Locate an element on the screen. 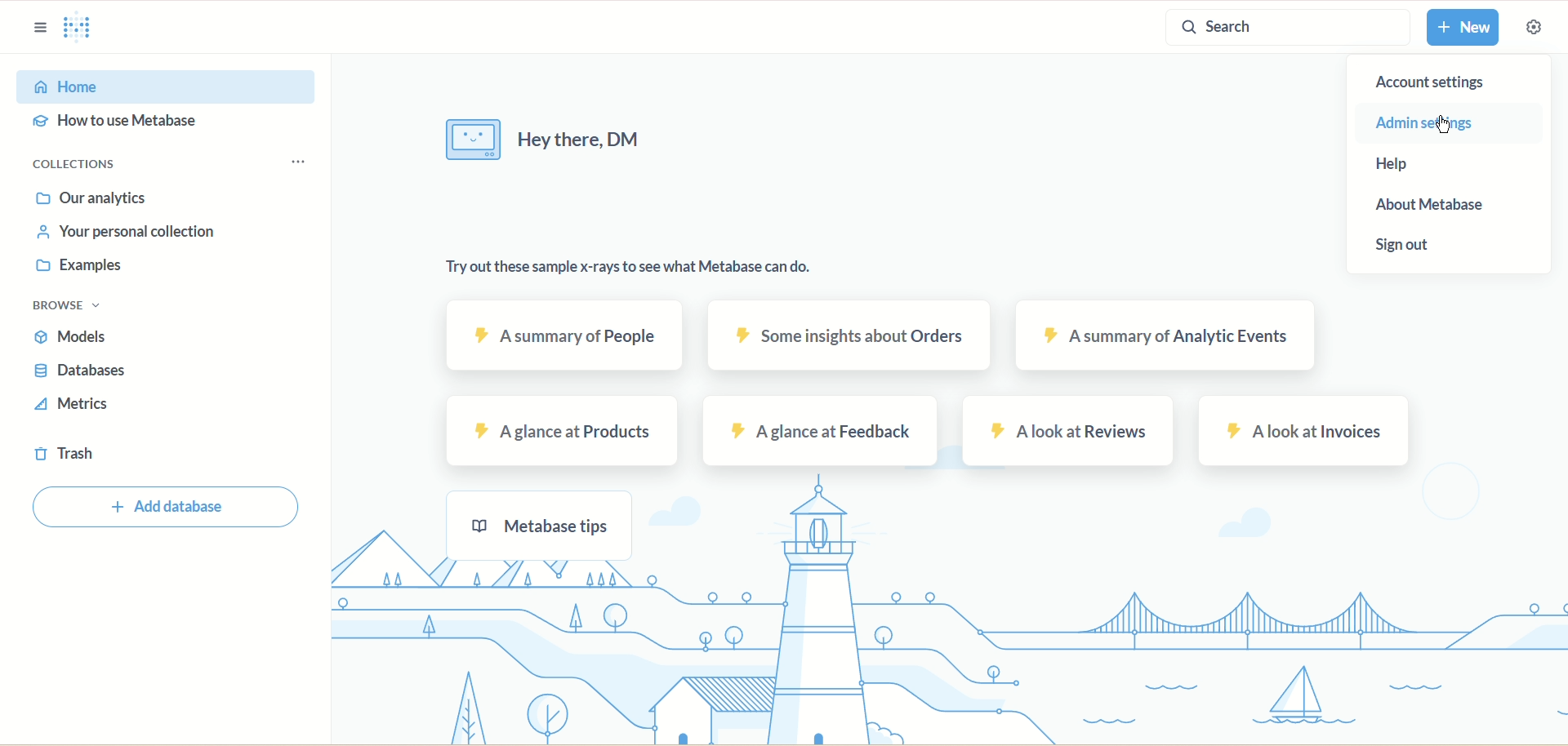  cursor is located at coordinates (1439, 122).